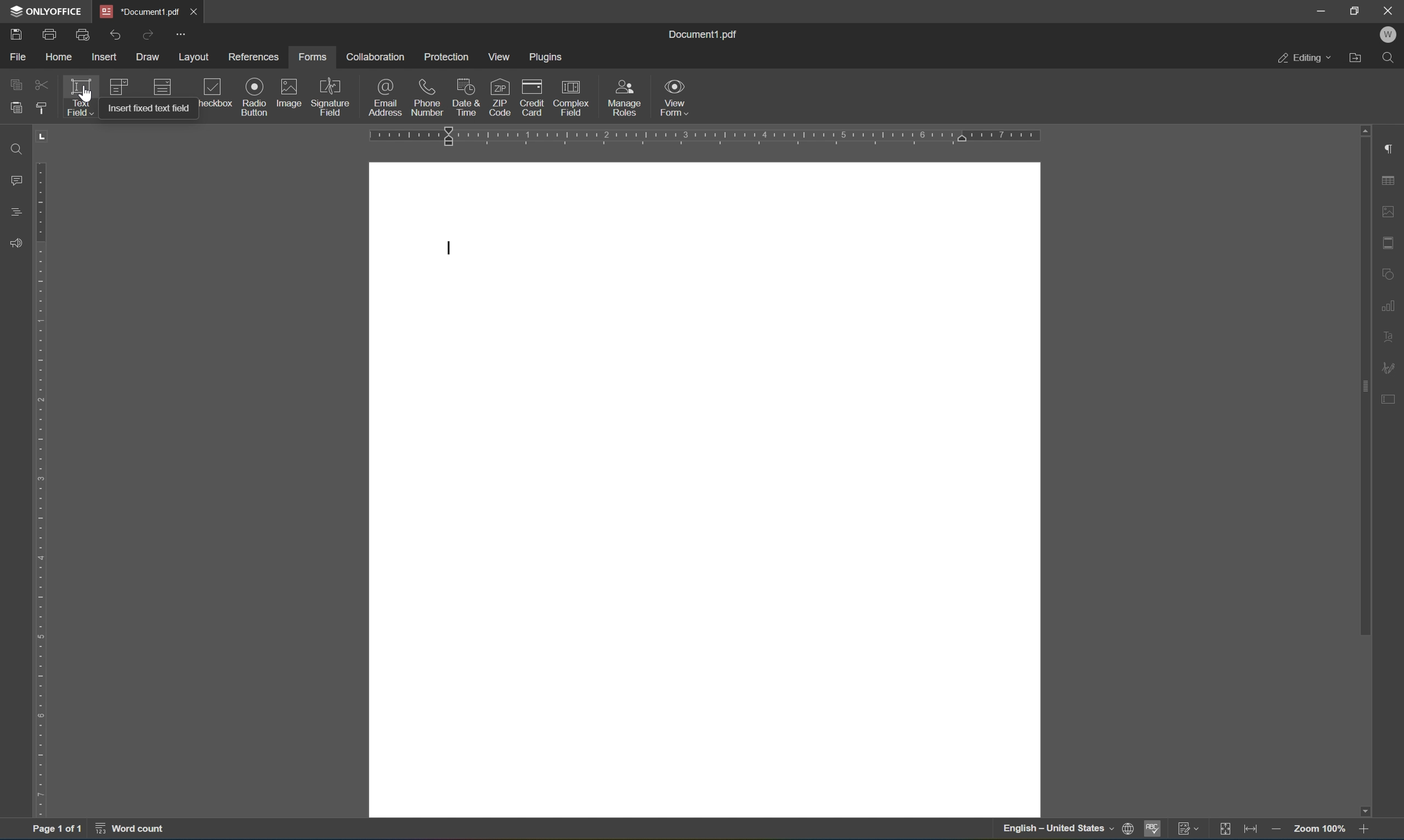  I want to click on email address, so click(386, 97).